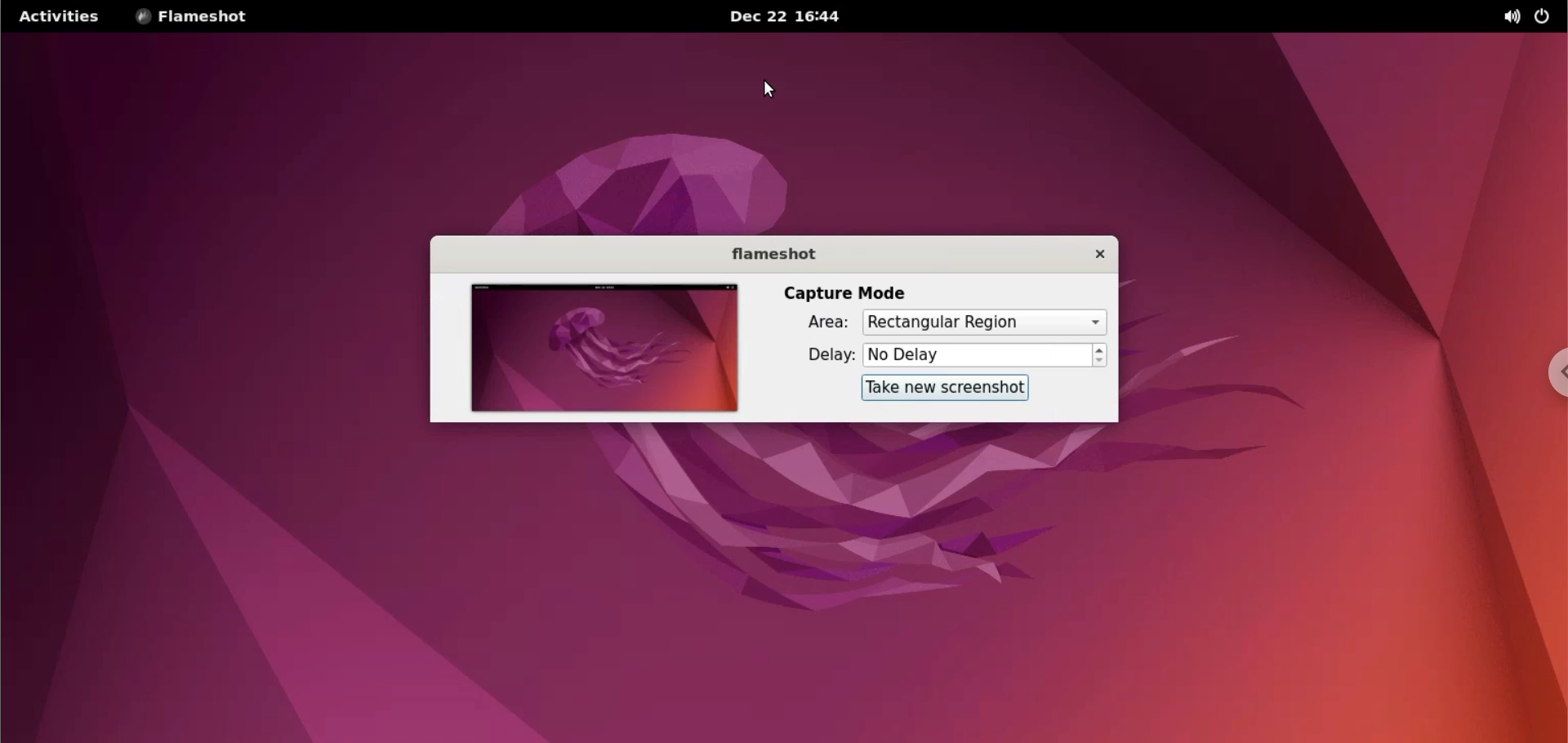 Image resolution: width=1568 pixels, height=743 pixels. I want to click on flameshot , so click(771, 252).